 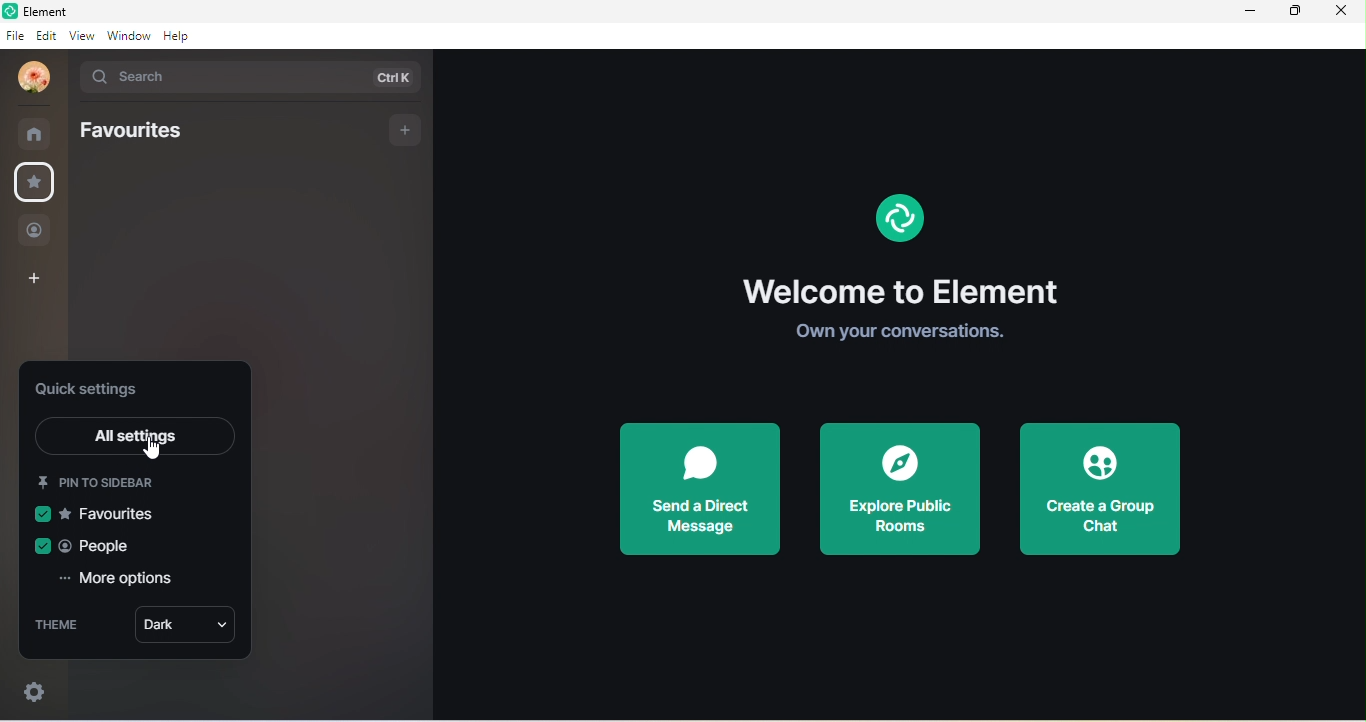 I want to click on dark, so click(x=184, y=624).